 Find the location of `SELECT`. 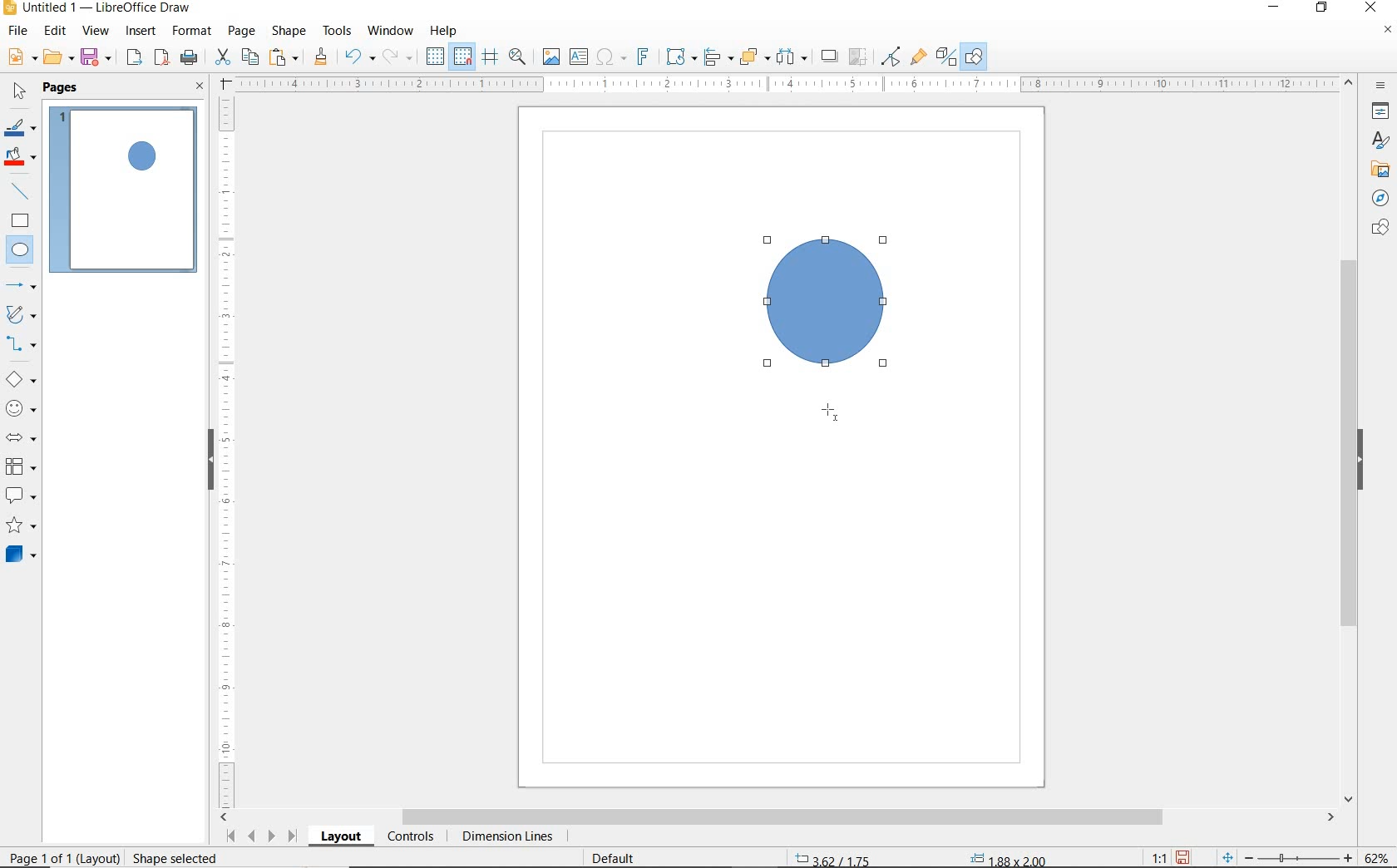

SELECT is located at coordinates (20, 92).